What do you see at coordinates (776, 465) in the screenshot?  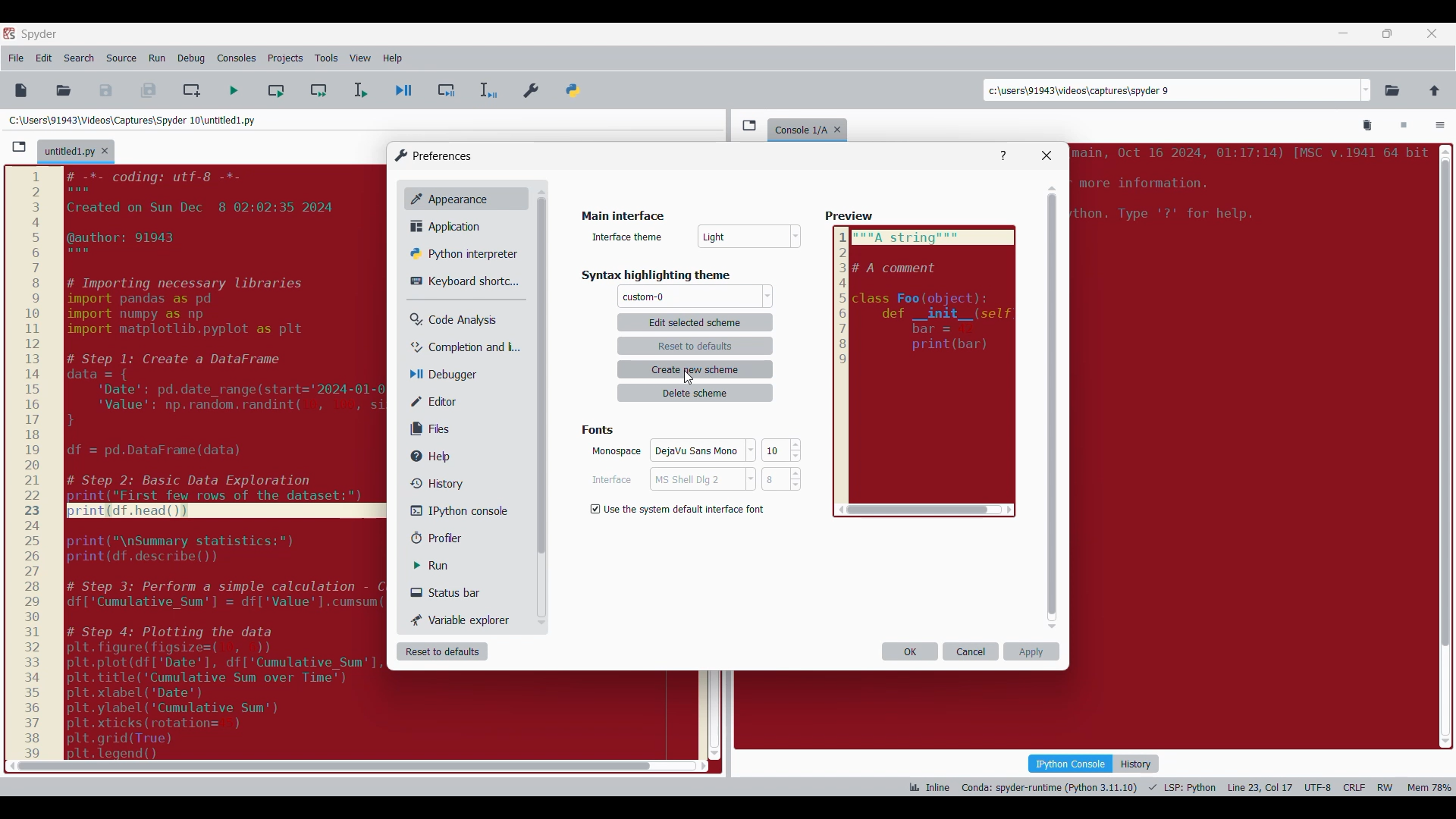 I see `Input font size` at bounding box center [776, 465].